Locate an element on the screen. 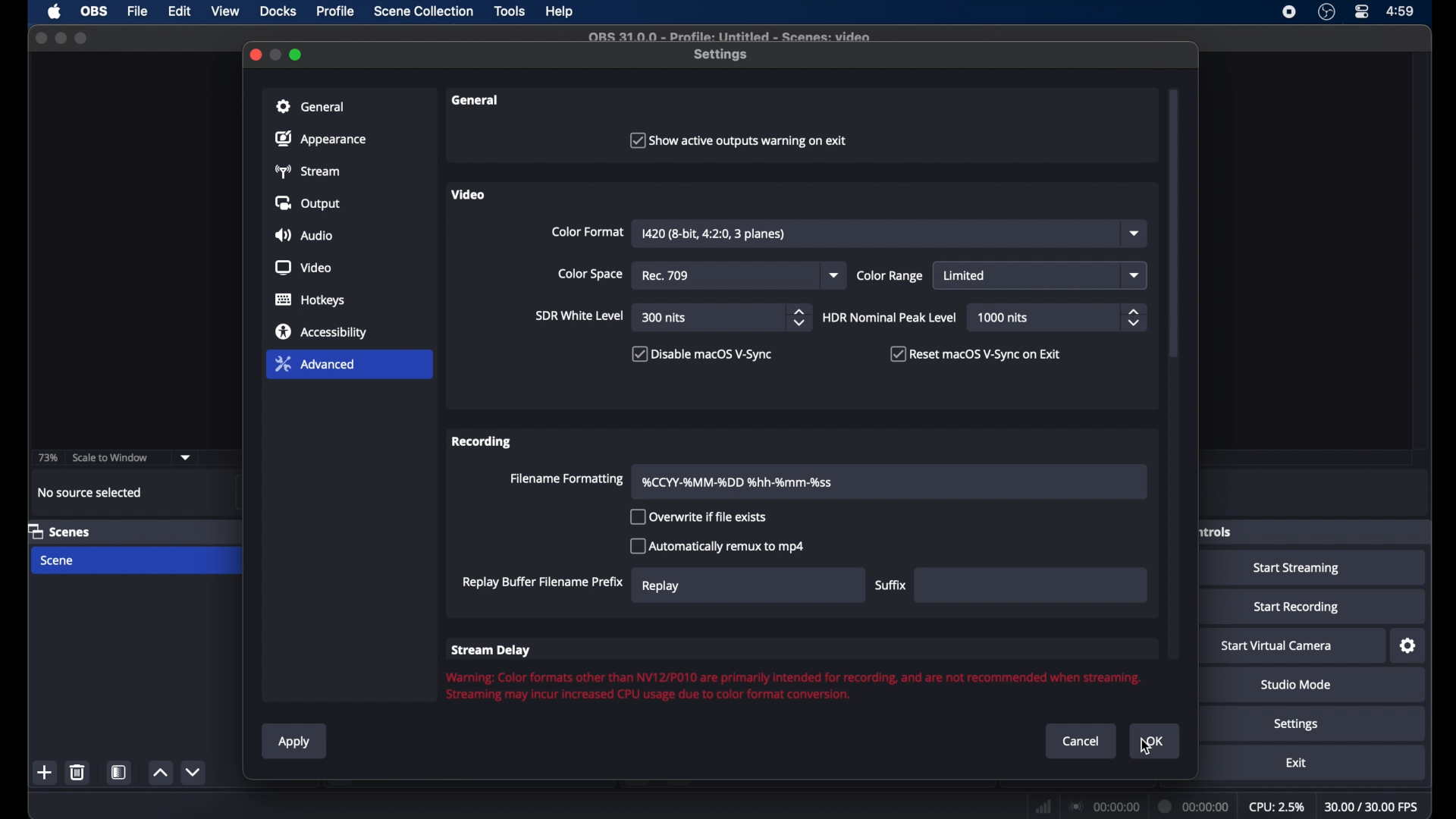 Image resolution: width=1456 pixels, height=819 pixels. settings is located at coordinates (1296, 724).